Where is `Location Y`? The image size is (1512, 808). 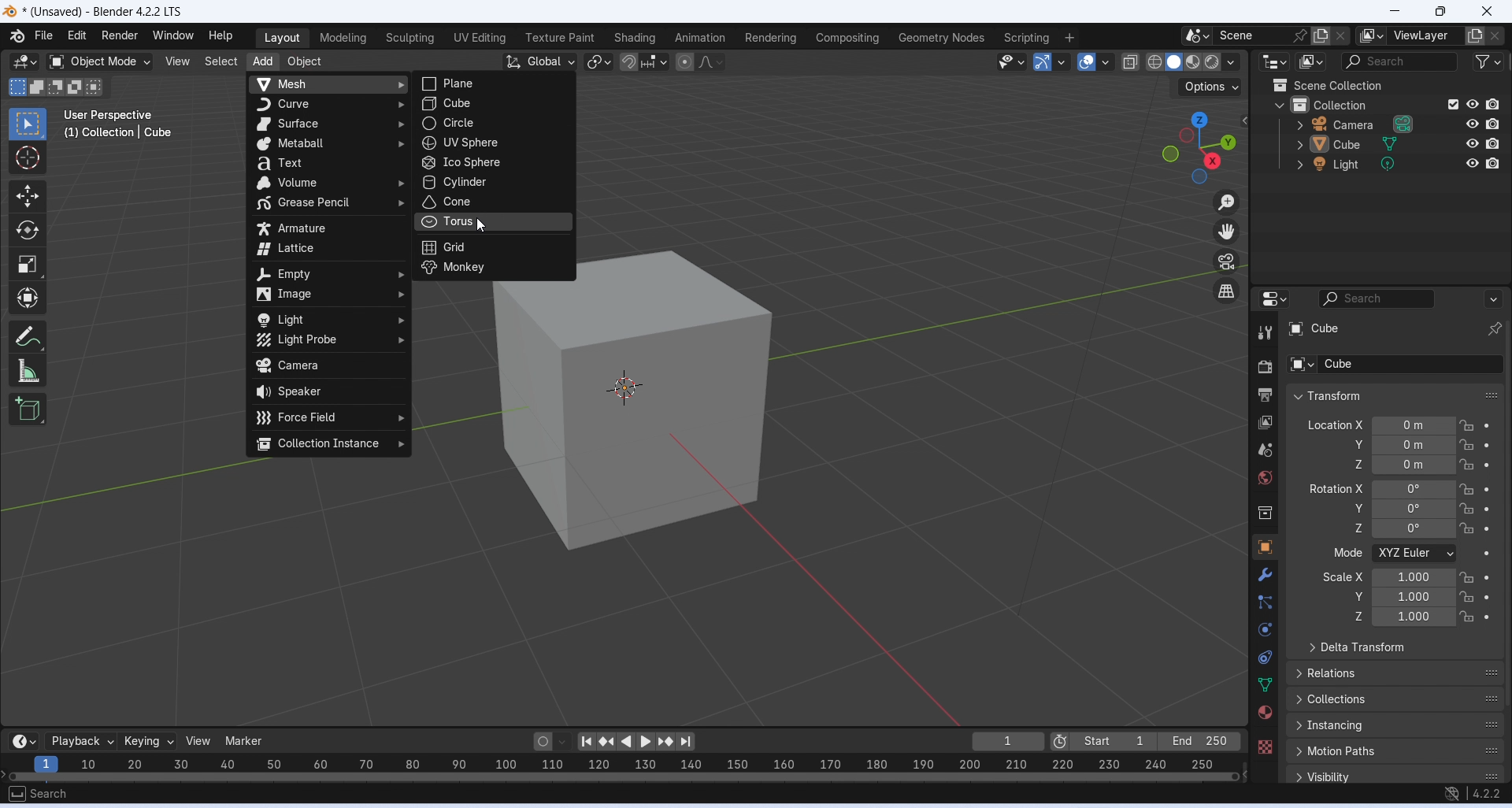
Location Y is located at coordinates (1355, 445).